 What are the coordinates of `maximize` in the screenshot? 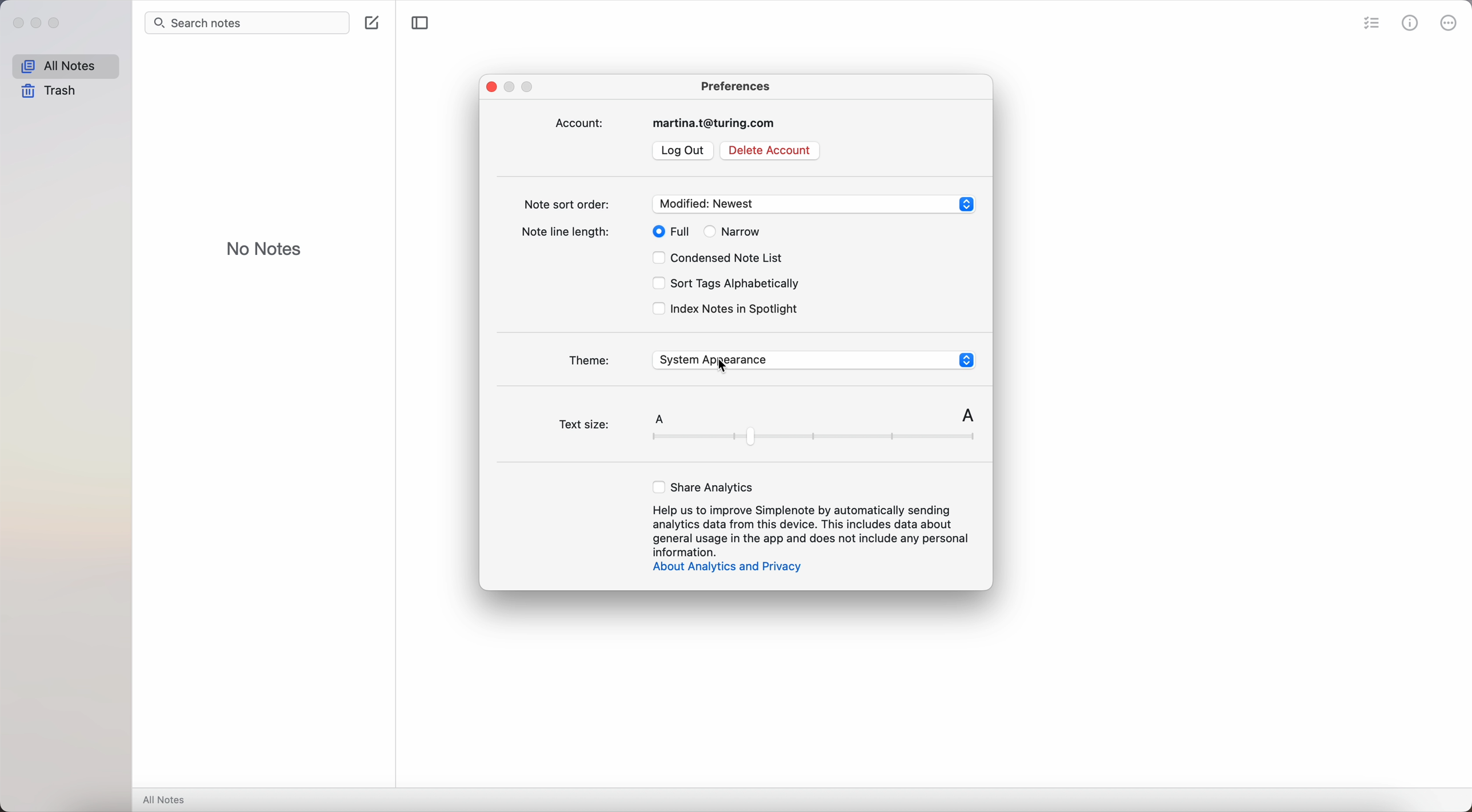 It's located at (58, 24).